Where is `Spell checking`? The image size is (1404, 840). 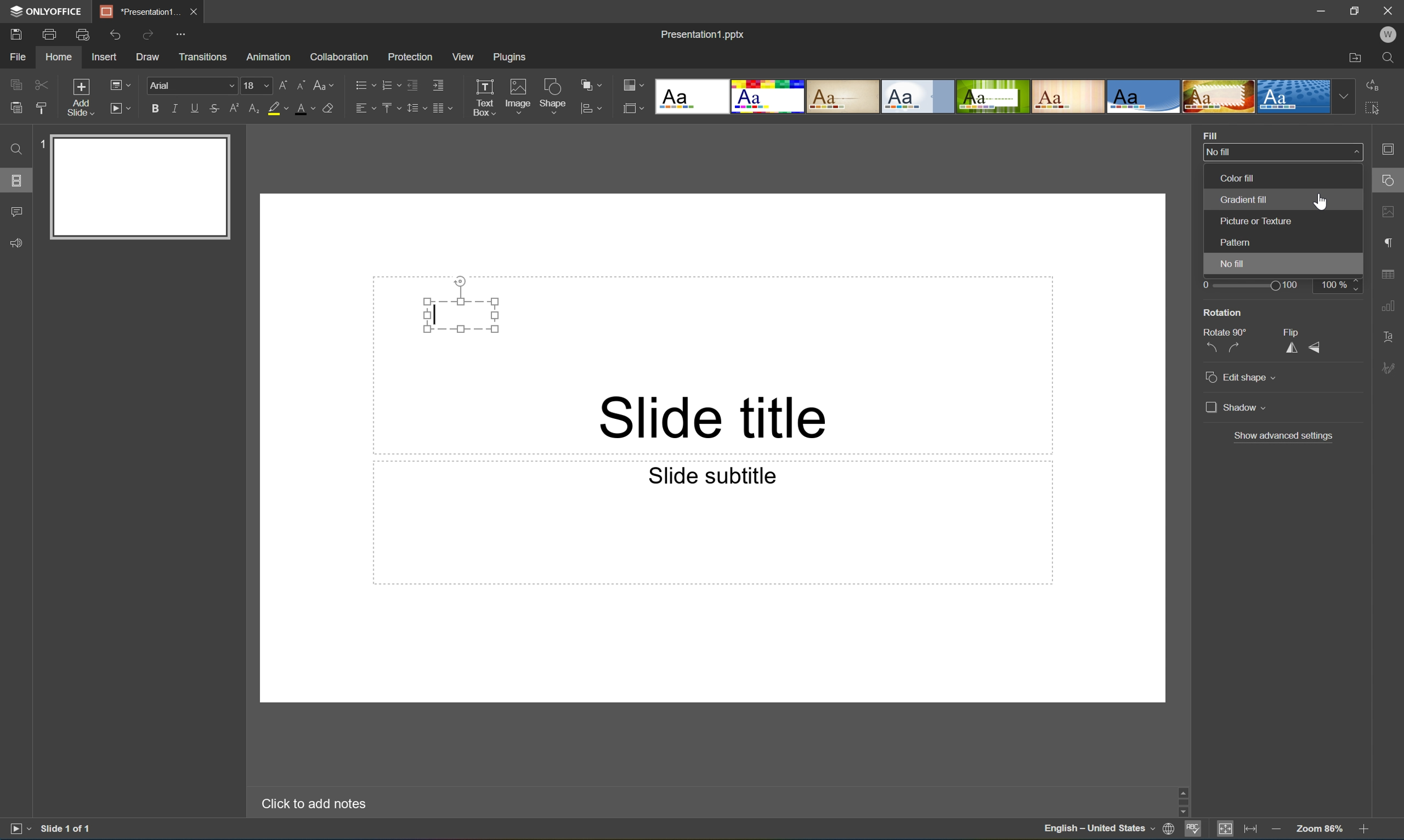
Spell checking is located at coordinates (1193, 830).